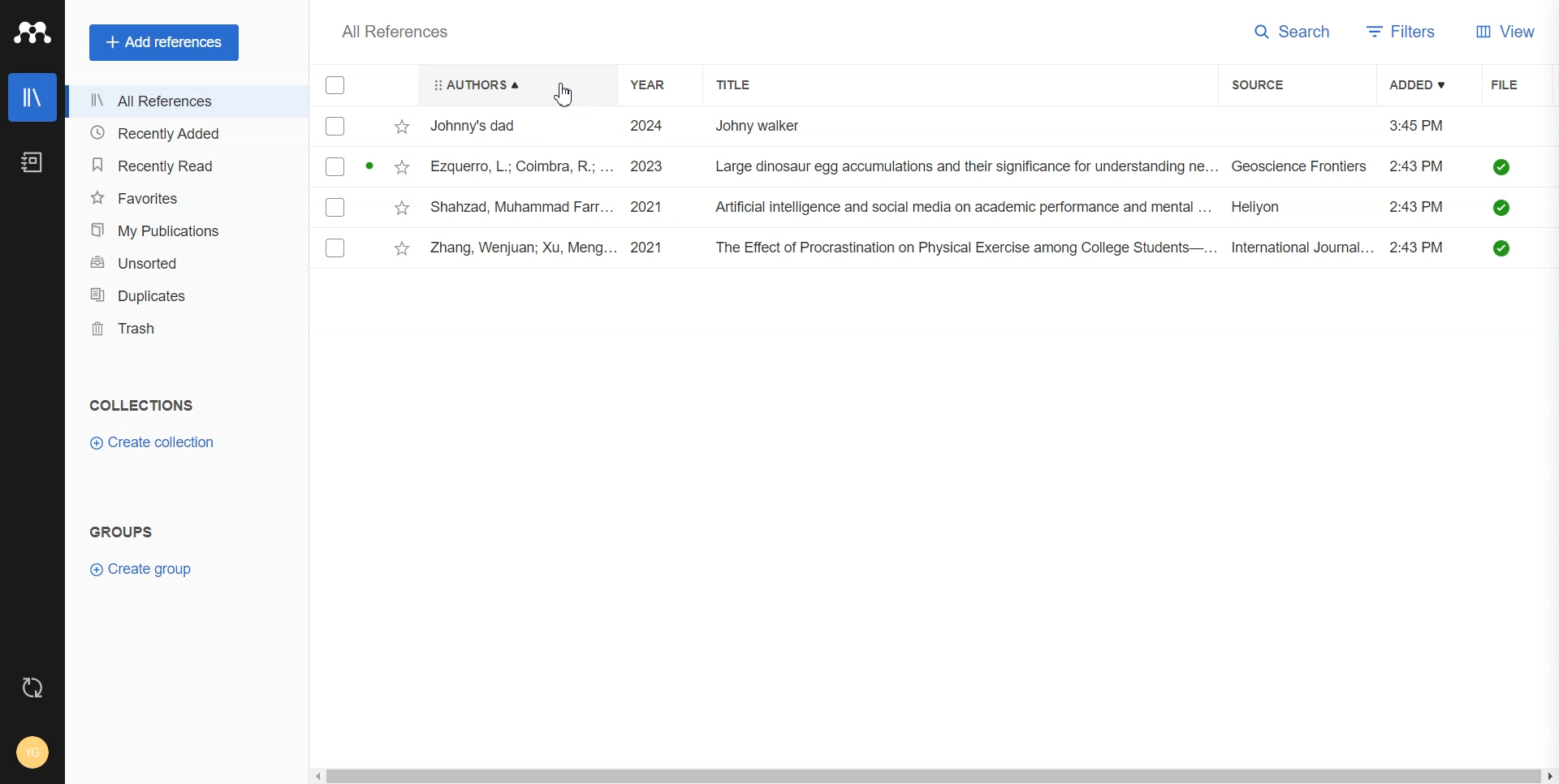 This screenshot has width=1559, height=784. What do you see at coordinates (163, 41) in the screenshot?
I see `Add Preferences` at bounding box center [163, 41].